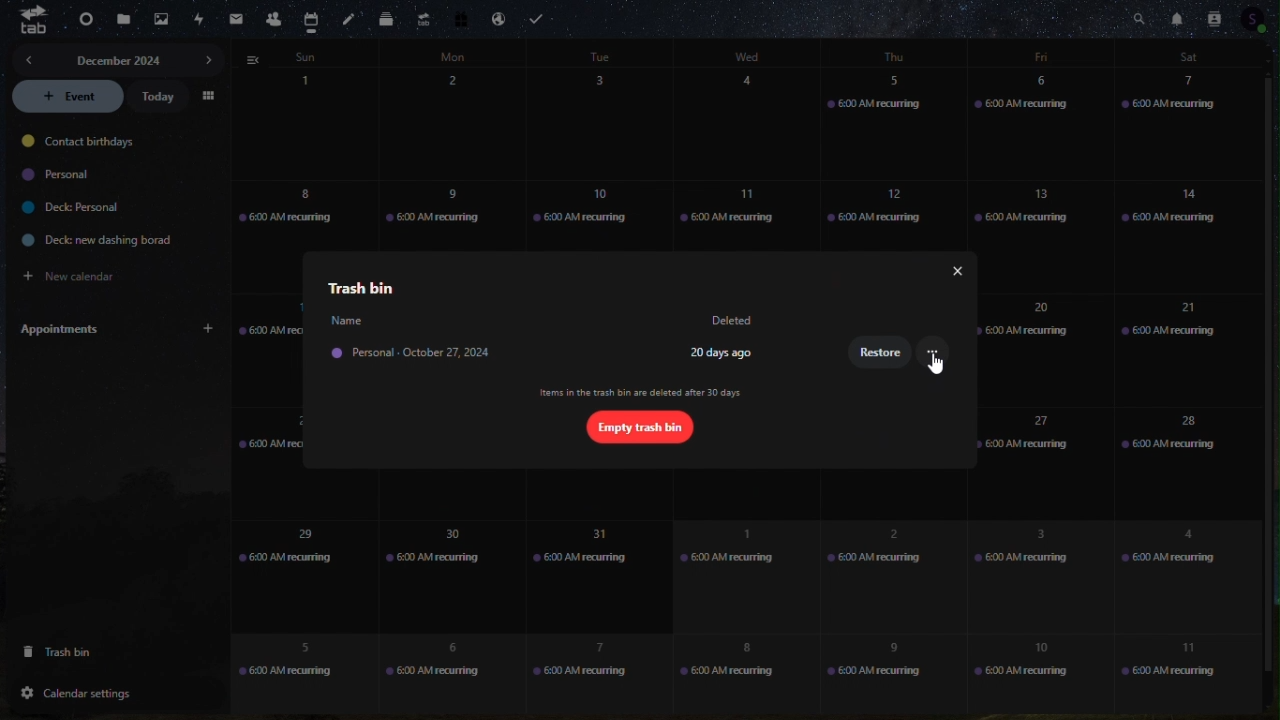 The image size is (1280, 720). Describe the element at coordinates (884, 208) in the screenshot. I see `12` at that location.